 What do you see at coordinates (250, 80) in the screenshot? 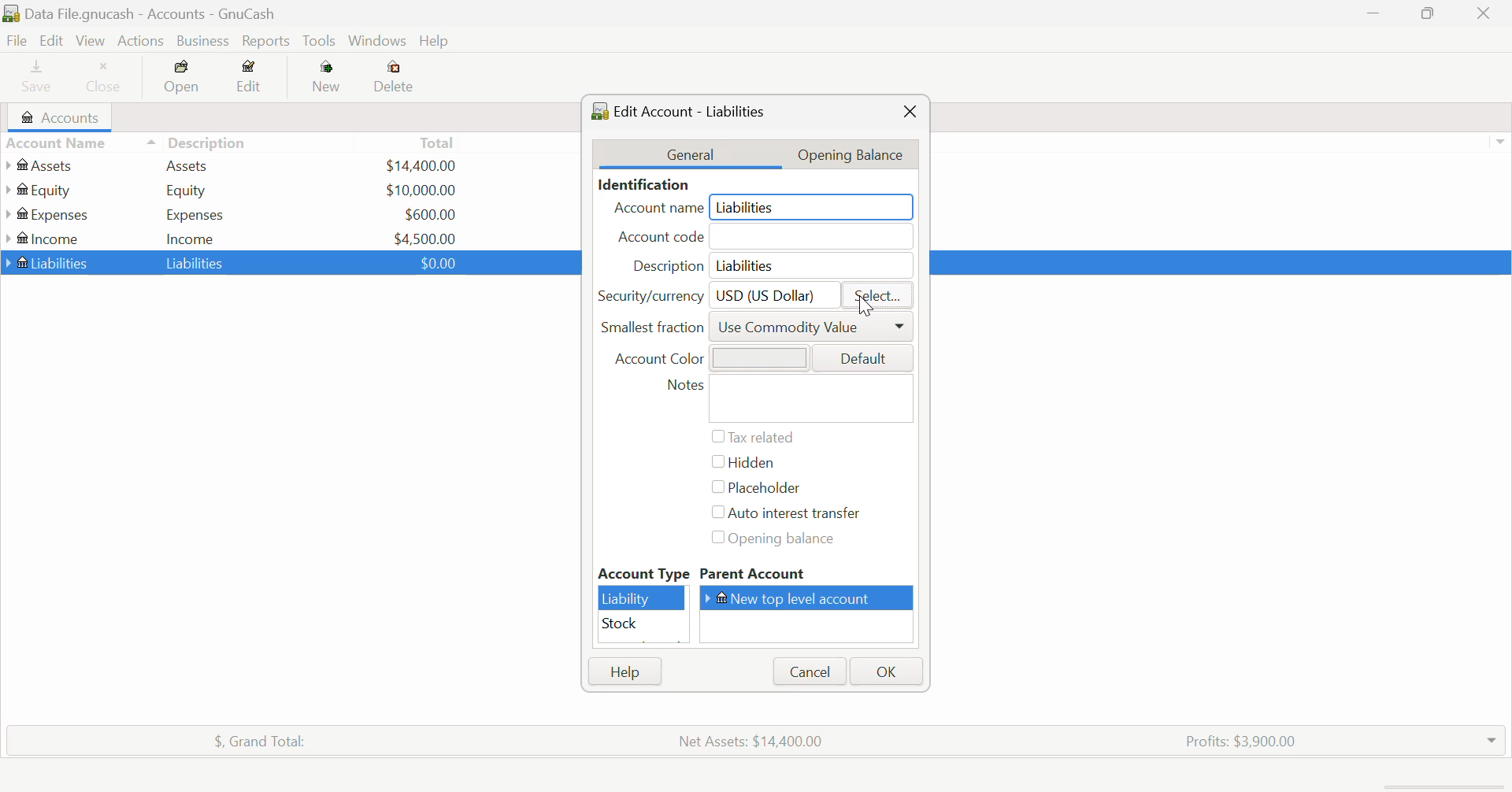
I see `Edit` at bounding box center [250, 80].